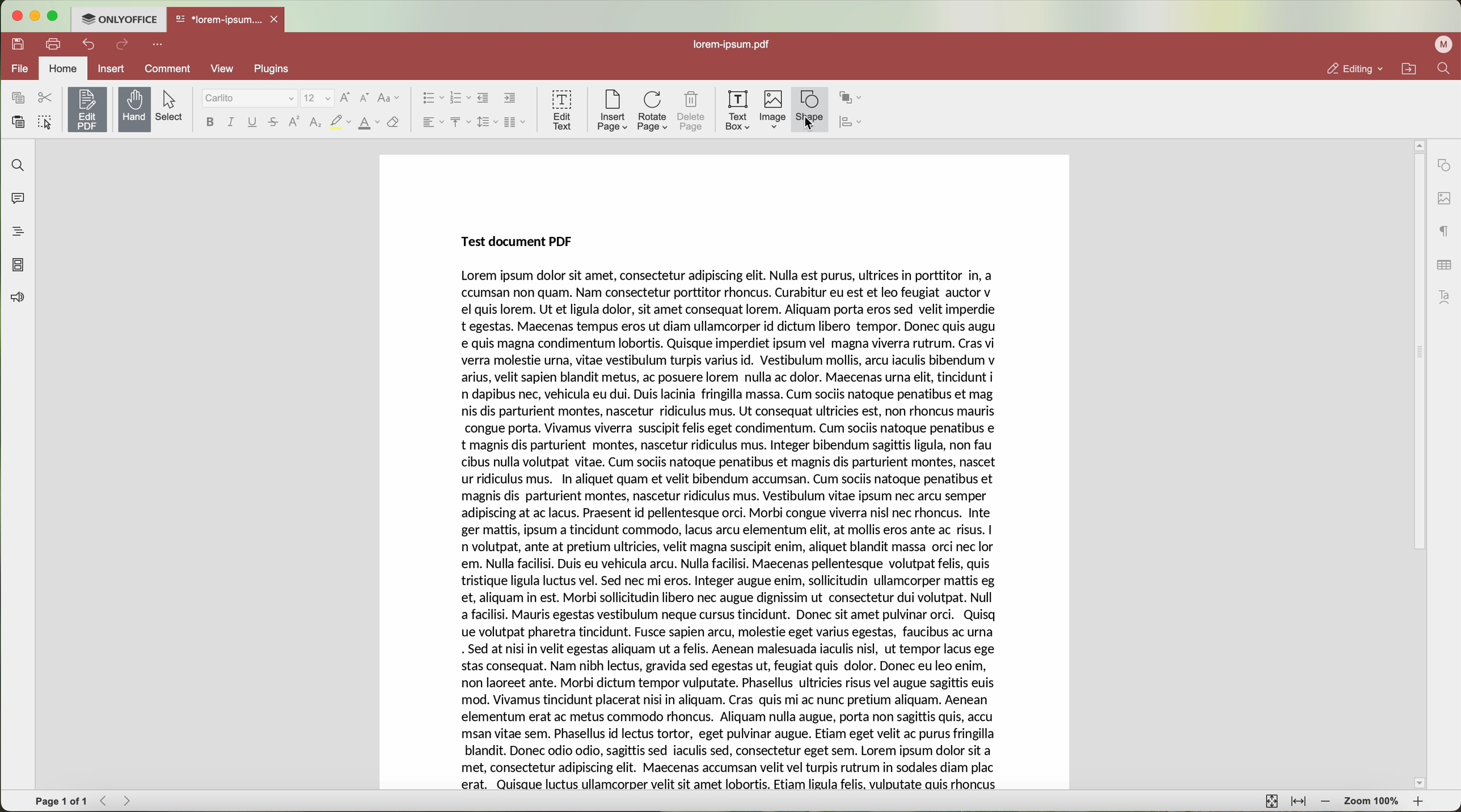 This screenshot has width=1461, height=812. I want to click on Text Art settings, so click(1446, 295).